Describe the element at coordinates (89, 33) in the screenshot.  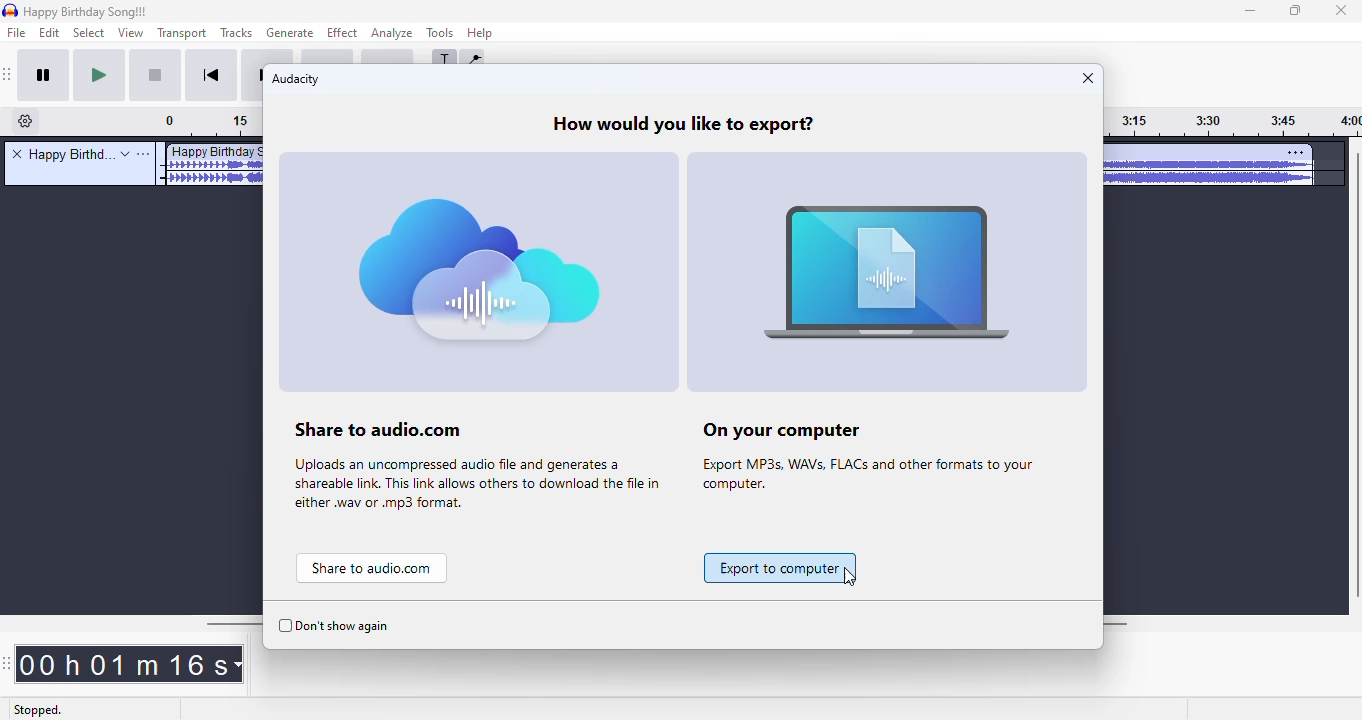
I see `select` at that location.